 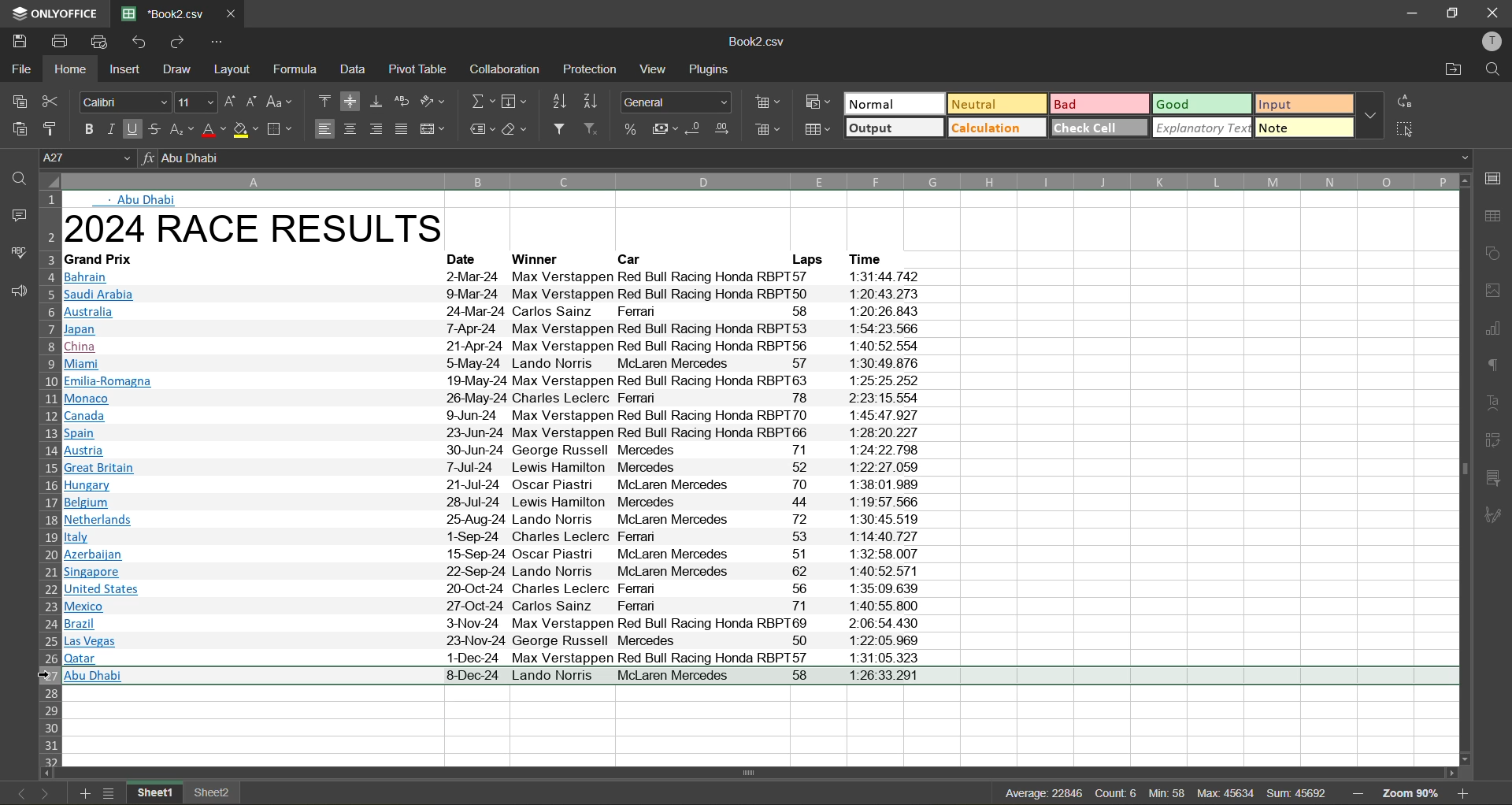 I want to click on find, so click(x=1494, y=70).